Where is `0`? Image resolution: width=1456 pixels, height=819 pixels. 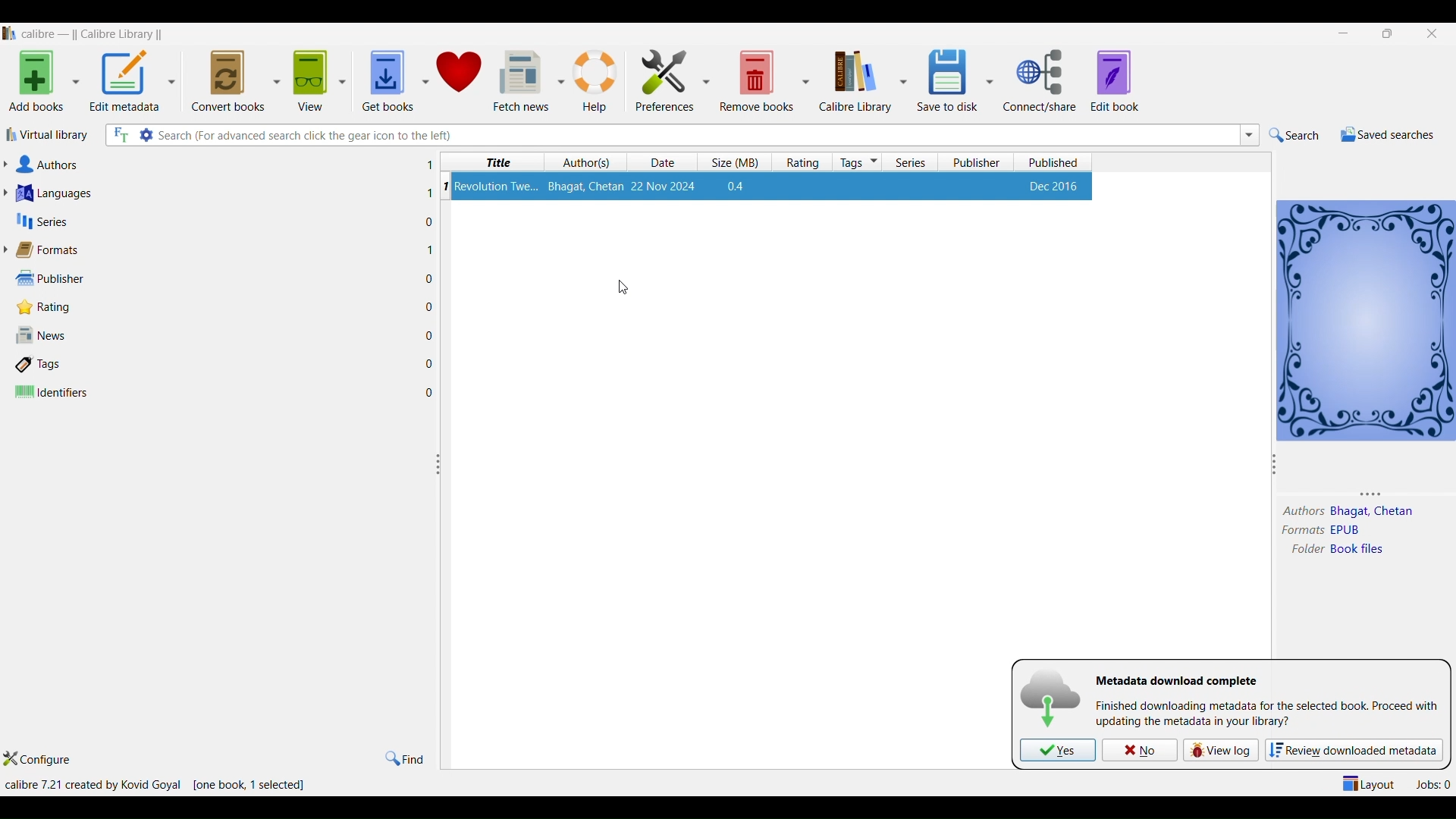
0 is located at coordinates (431, 391).